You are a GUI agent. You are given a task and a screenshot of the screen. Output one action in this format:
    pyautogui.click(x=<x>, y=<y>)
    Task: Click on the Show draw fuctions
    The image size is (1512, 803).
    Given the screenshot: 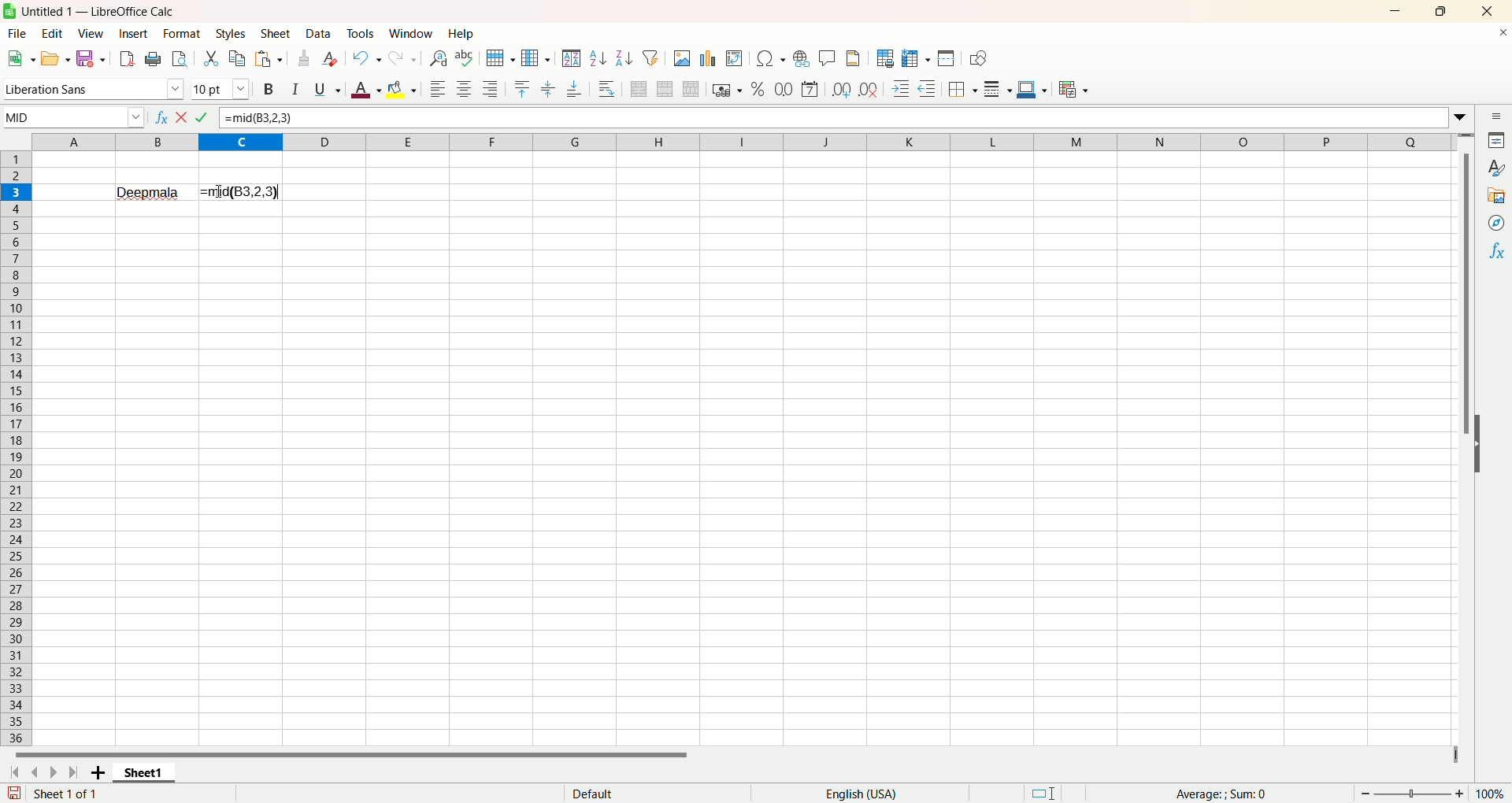 What is the action you would take?
    pyautogui.click(x=980, y=59)
    